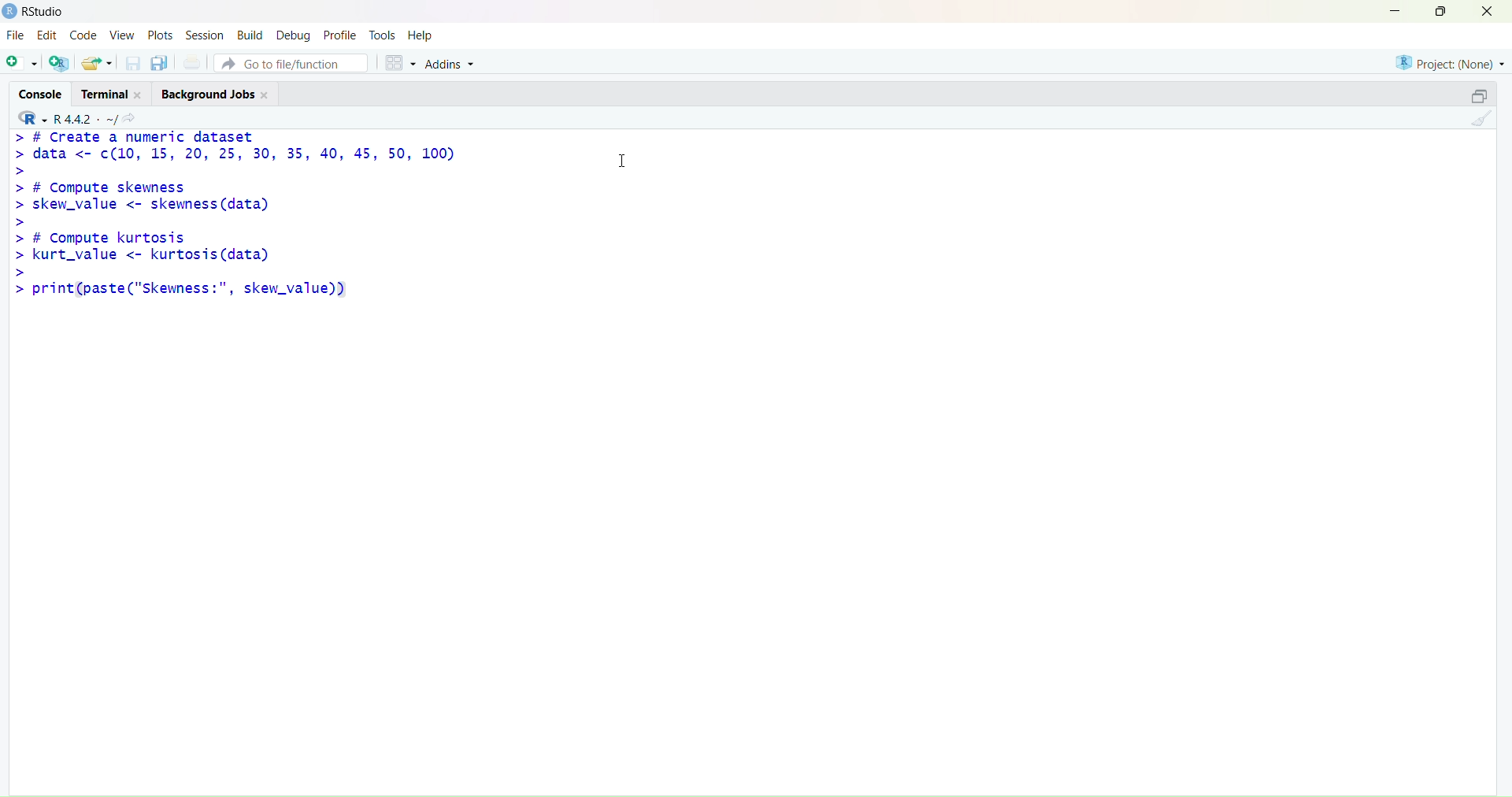 Image resolution: width=1512 pixels, height=797 pixels. Describe the element at coordinates (250, 34) in the screenshot. I see `Build` at that location.